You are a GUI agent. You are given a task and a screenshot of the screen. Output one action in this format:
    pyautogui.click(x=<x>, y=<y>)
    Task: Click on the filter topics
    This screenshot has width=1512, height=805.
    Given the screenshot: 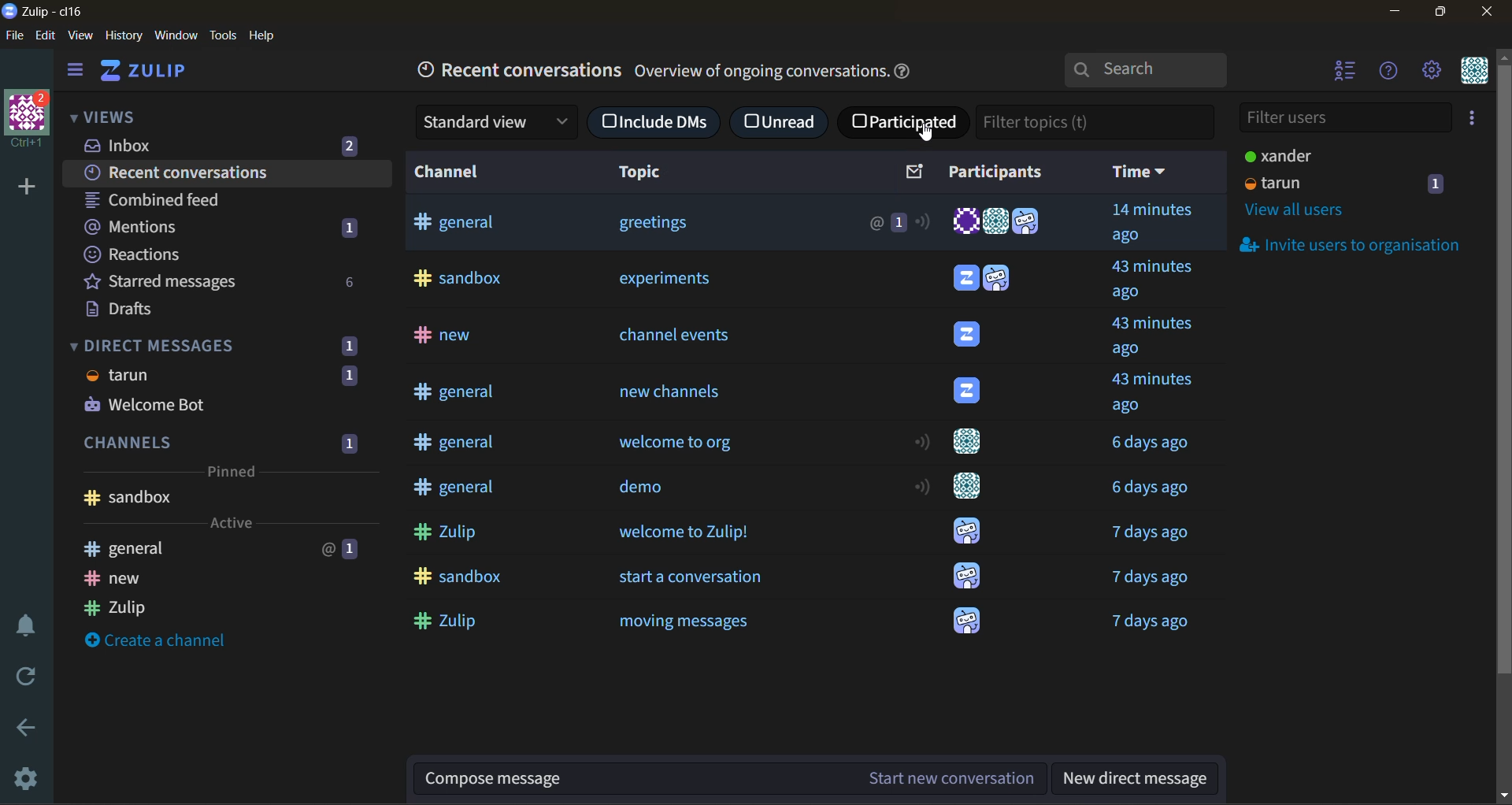 What is the action you would take?
    pyautogui.click(x=1073, y=123)
    